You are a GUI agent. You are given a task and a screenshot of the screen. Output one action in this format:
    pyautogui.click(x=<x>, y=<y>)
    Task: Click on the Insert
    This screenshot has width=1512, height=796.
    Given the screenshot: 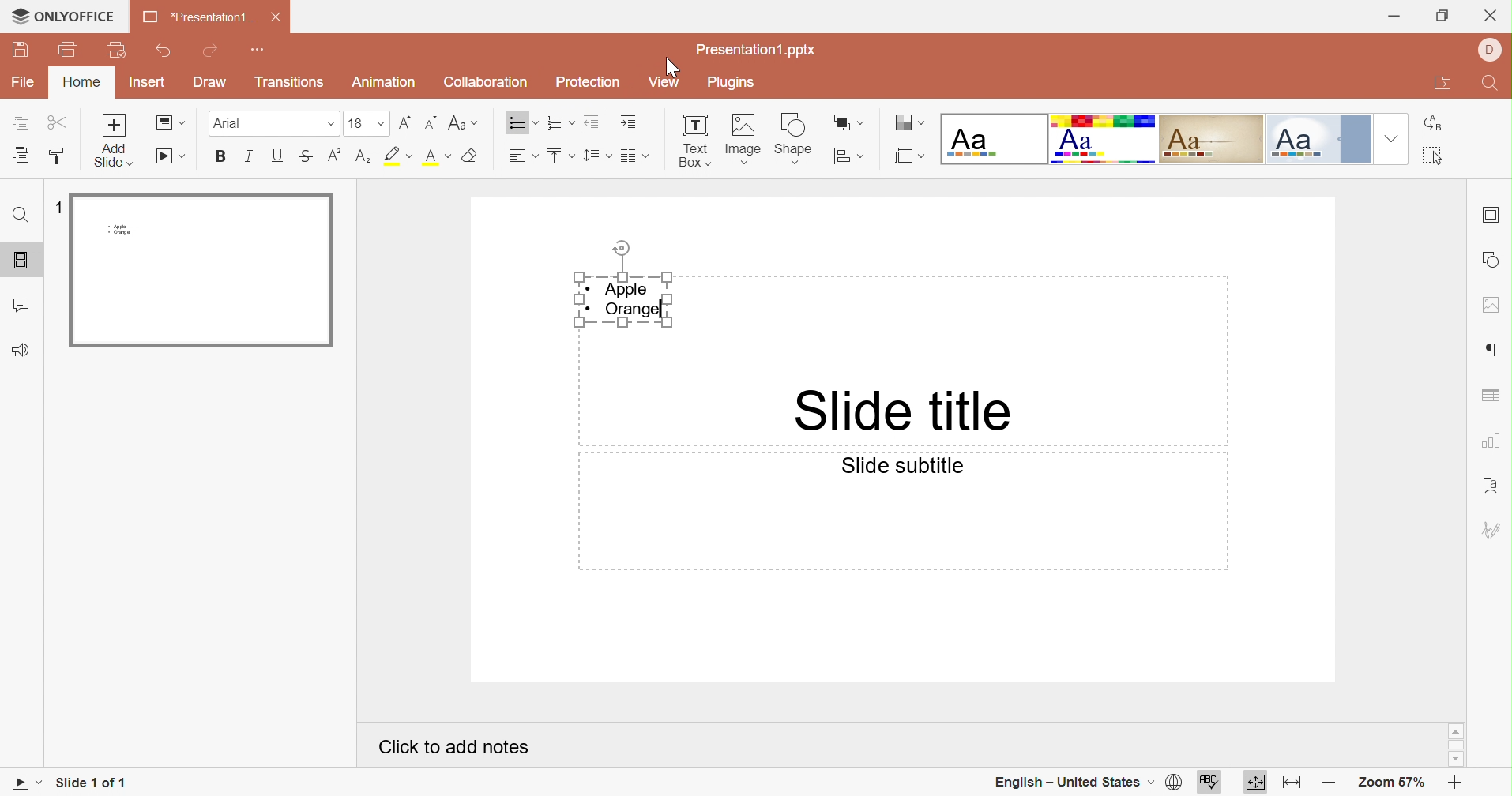 What is the action you would take?
    pyautogui.click(x=149, y=84)
    